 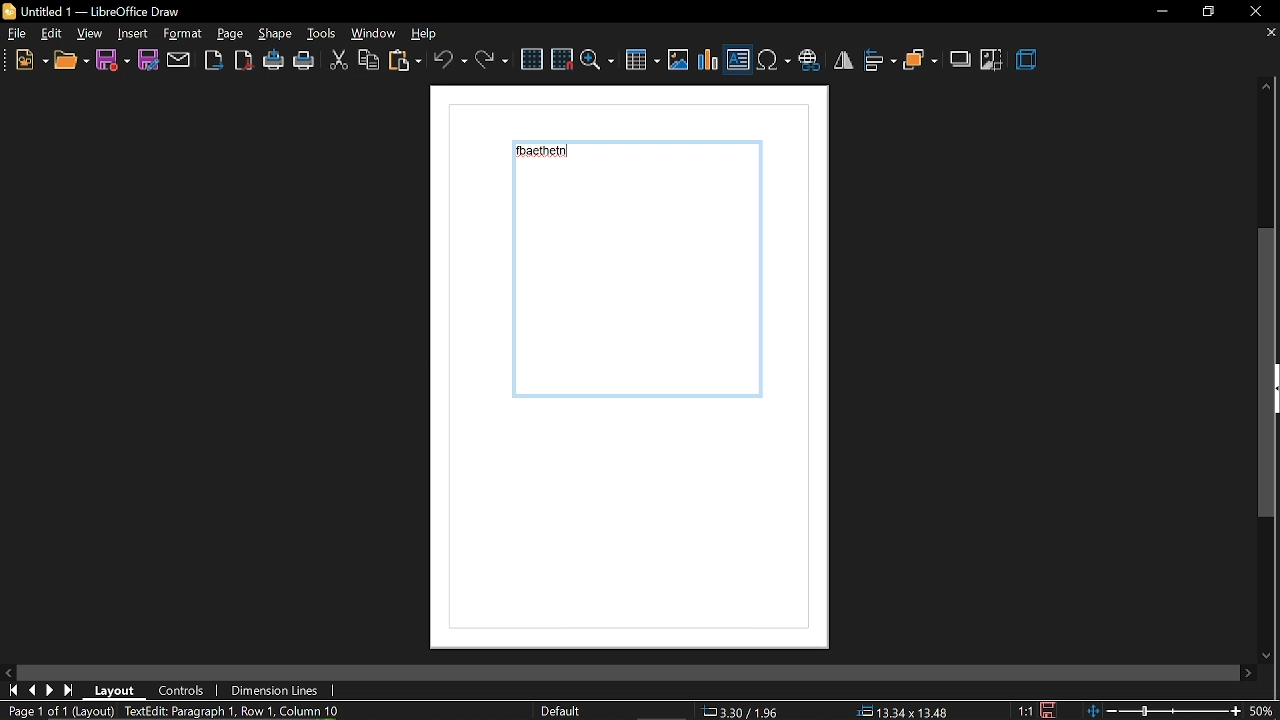 I want to click on next page, so click(x=50, y=690).